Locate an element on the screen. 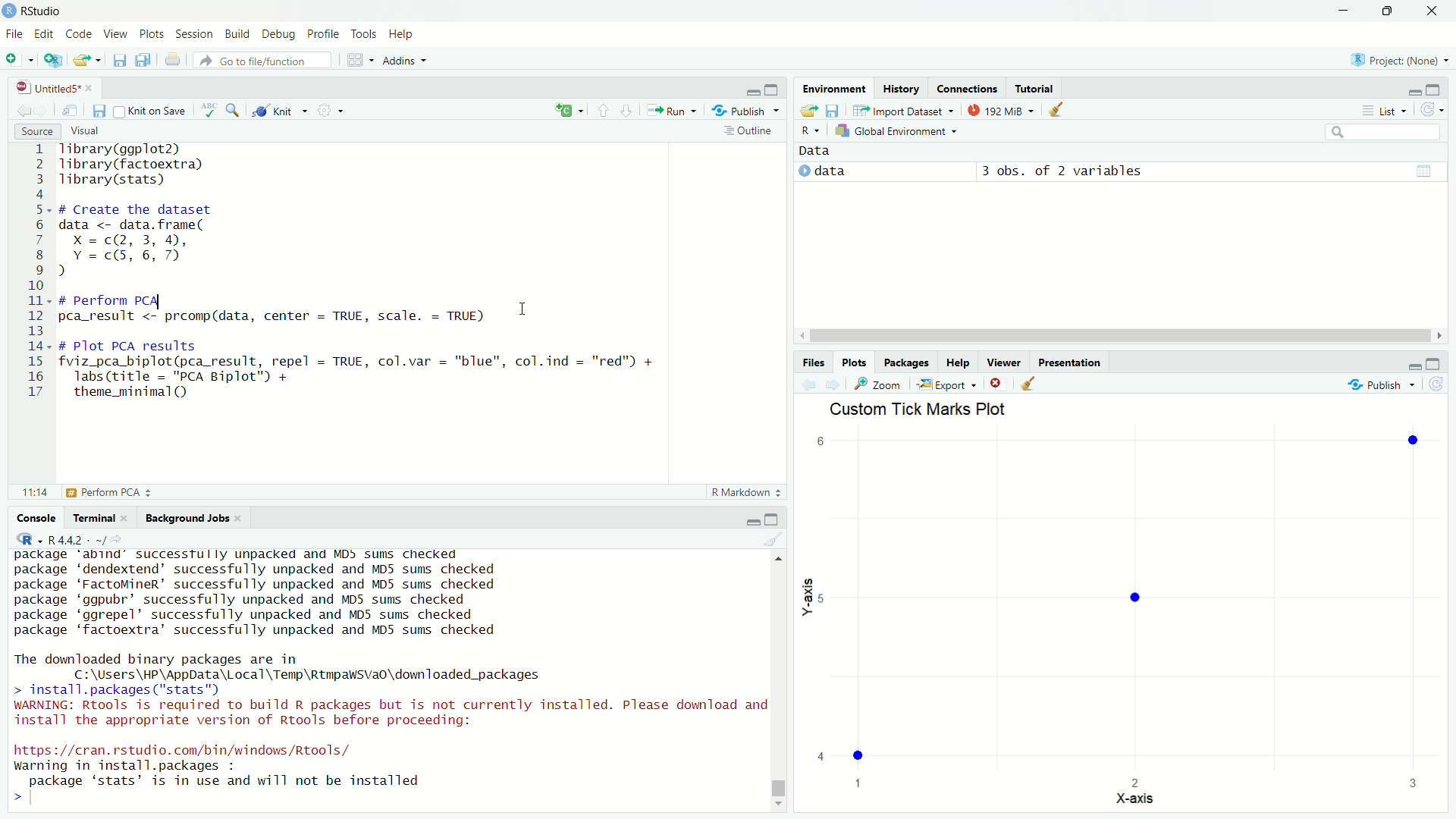 This screenshot has width=1456, height=819. Files is located at coordinates (814, 362).